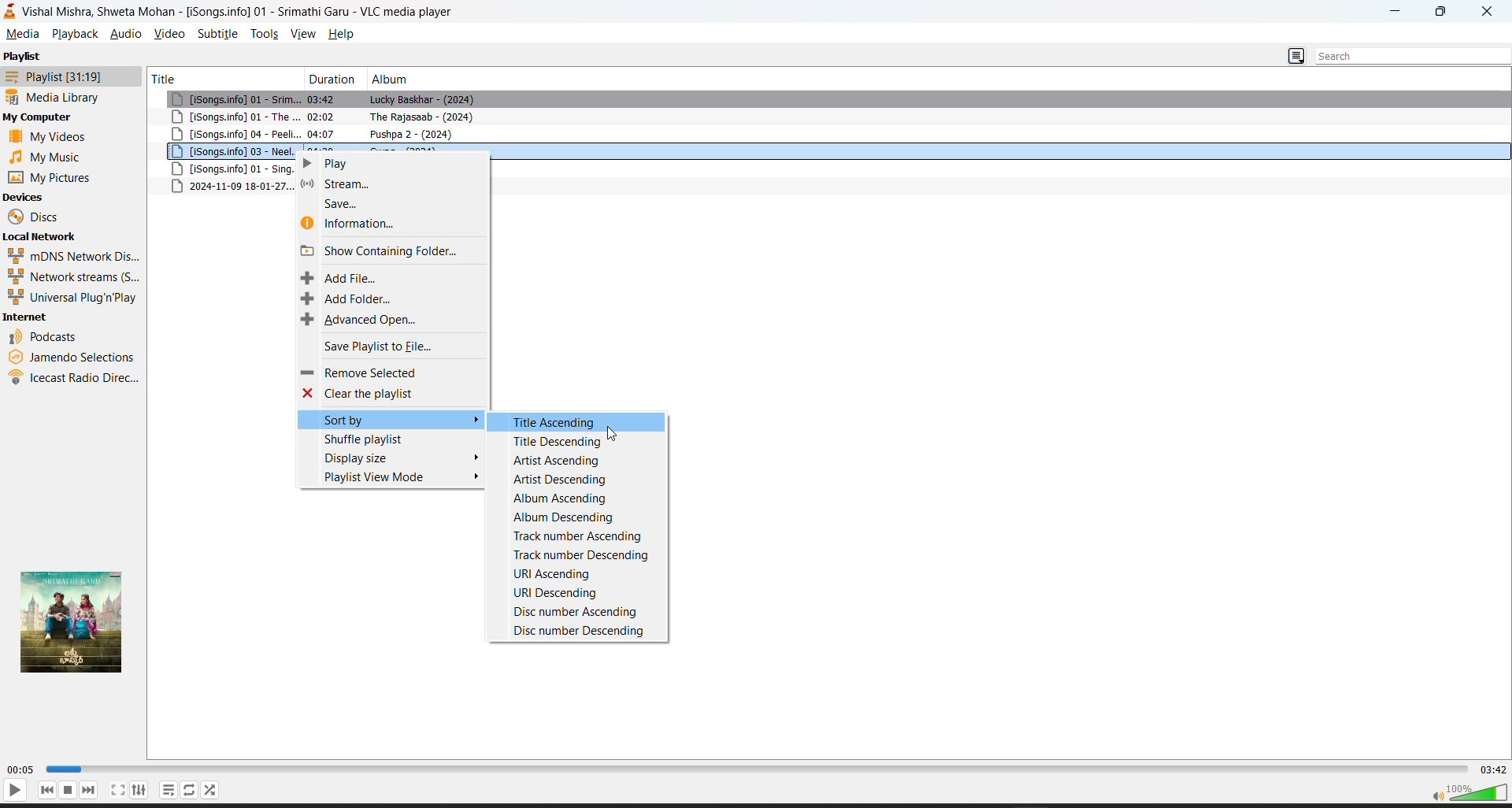  What do you see at coordinates (15, 790) in the screenshot?
I see `play` at bounding box center [15, 790].